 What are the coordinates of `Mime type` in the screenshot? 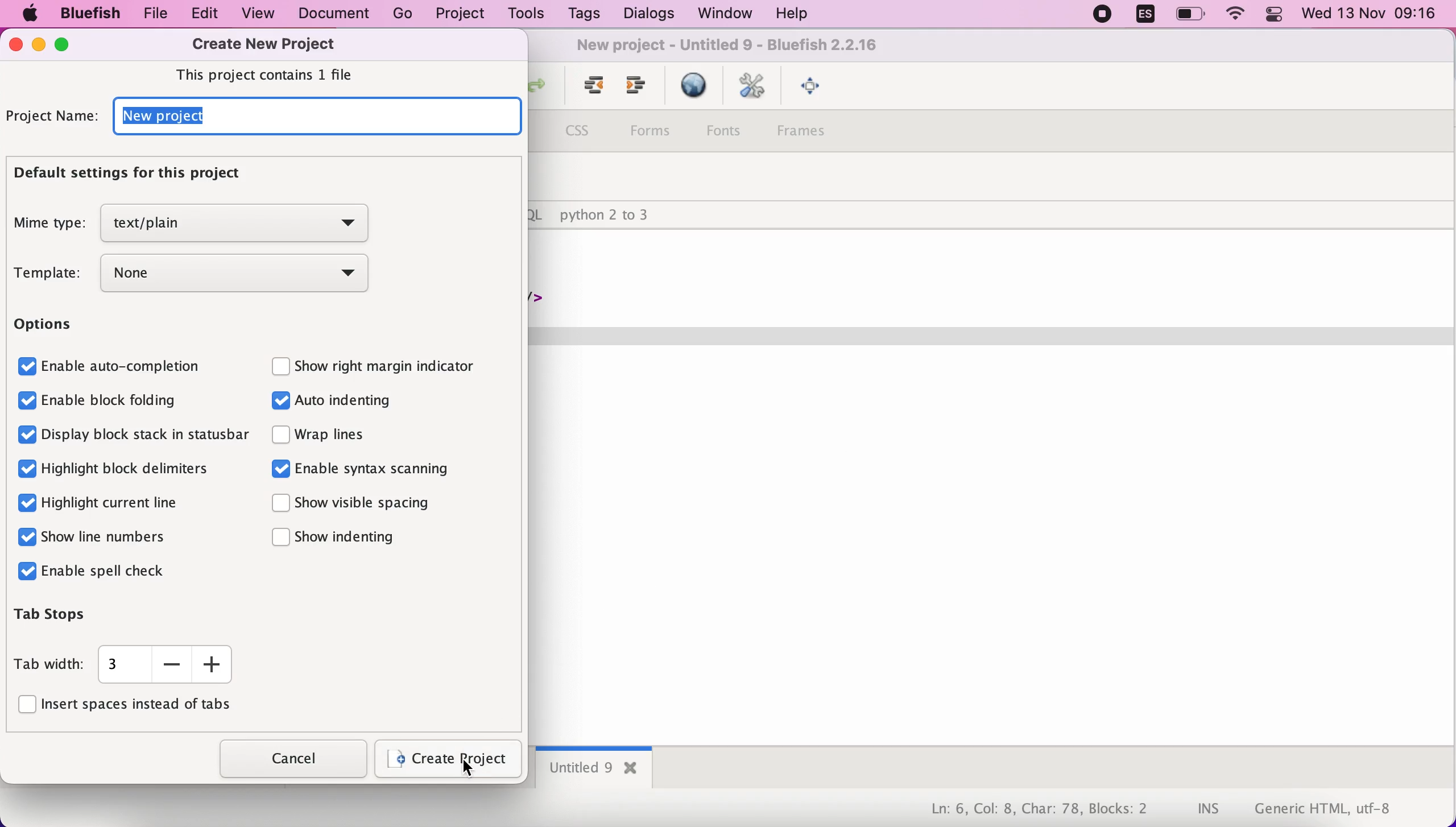 It's located at (46, 225).